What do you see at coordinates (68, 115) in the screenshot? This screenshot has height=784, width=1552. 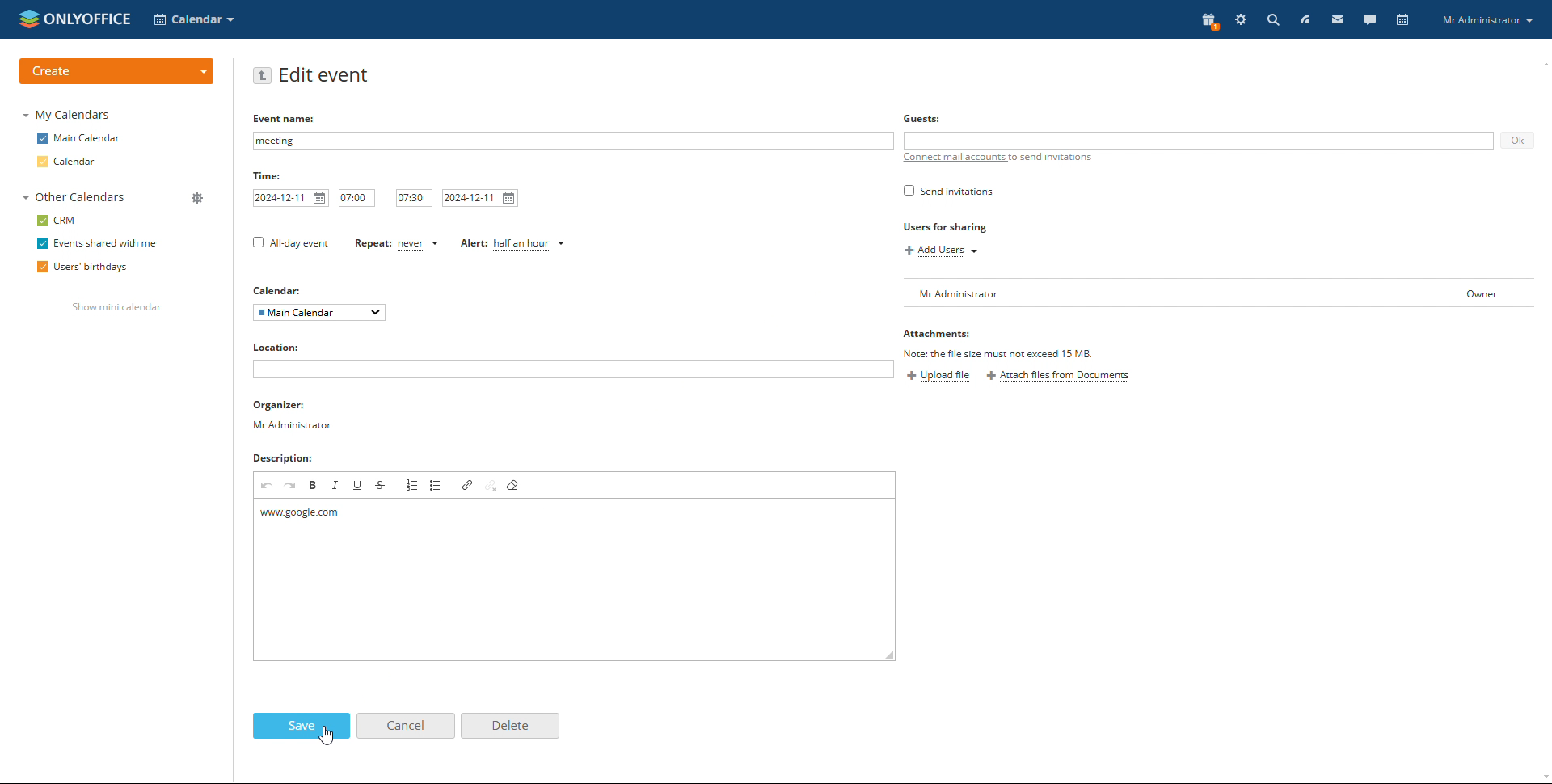 I see `my calendars` at bounding box center [68, 115].